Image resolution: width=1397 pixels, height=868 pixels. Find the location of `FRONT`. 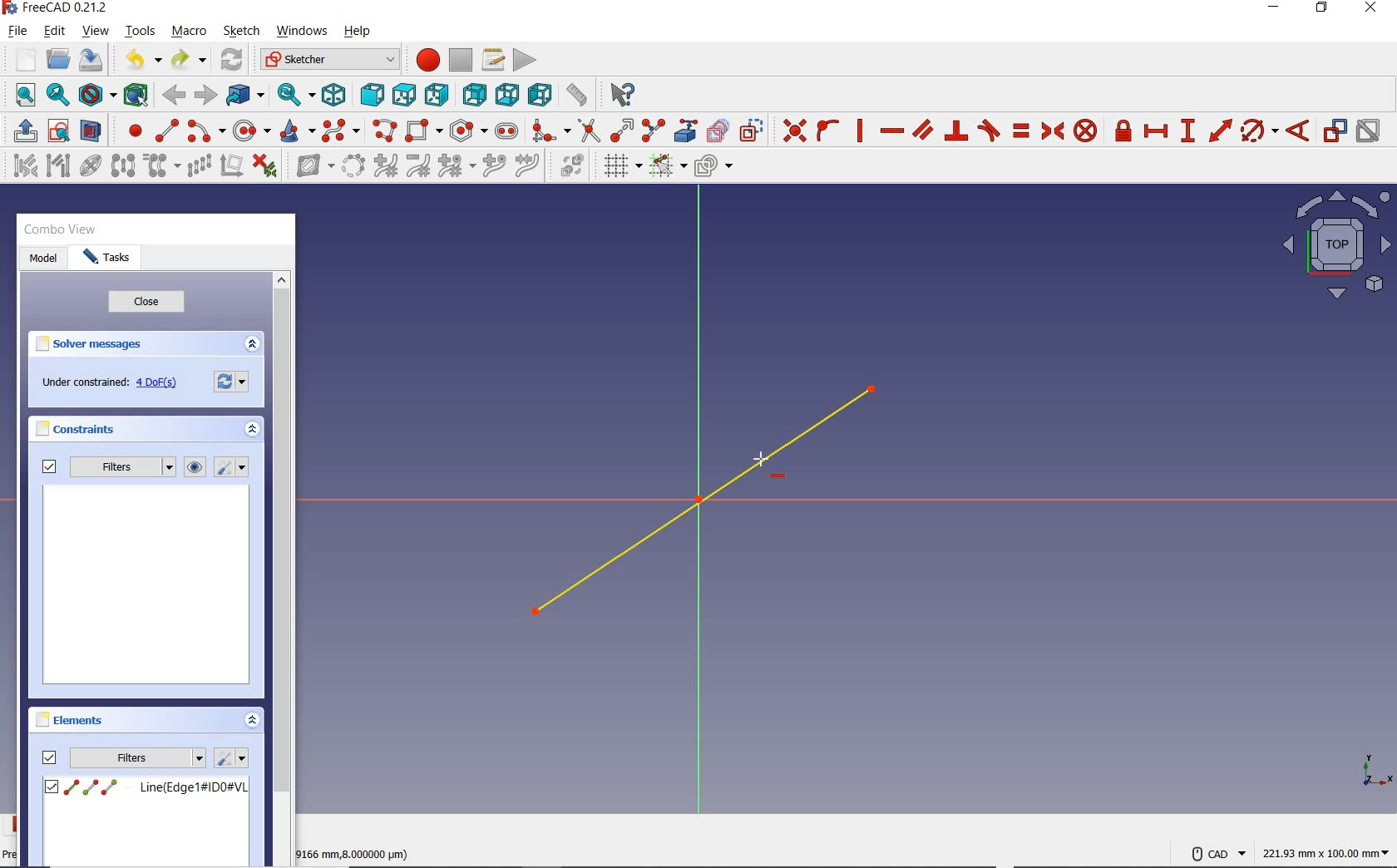

FRONT is located at coordinates (373, 92).